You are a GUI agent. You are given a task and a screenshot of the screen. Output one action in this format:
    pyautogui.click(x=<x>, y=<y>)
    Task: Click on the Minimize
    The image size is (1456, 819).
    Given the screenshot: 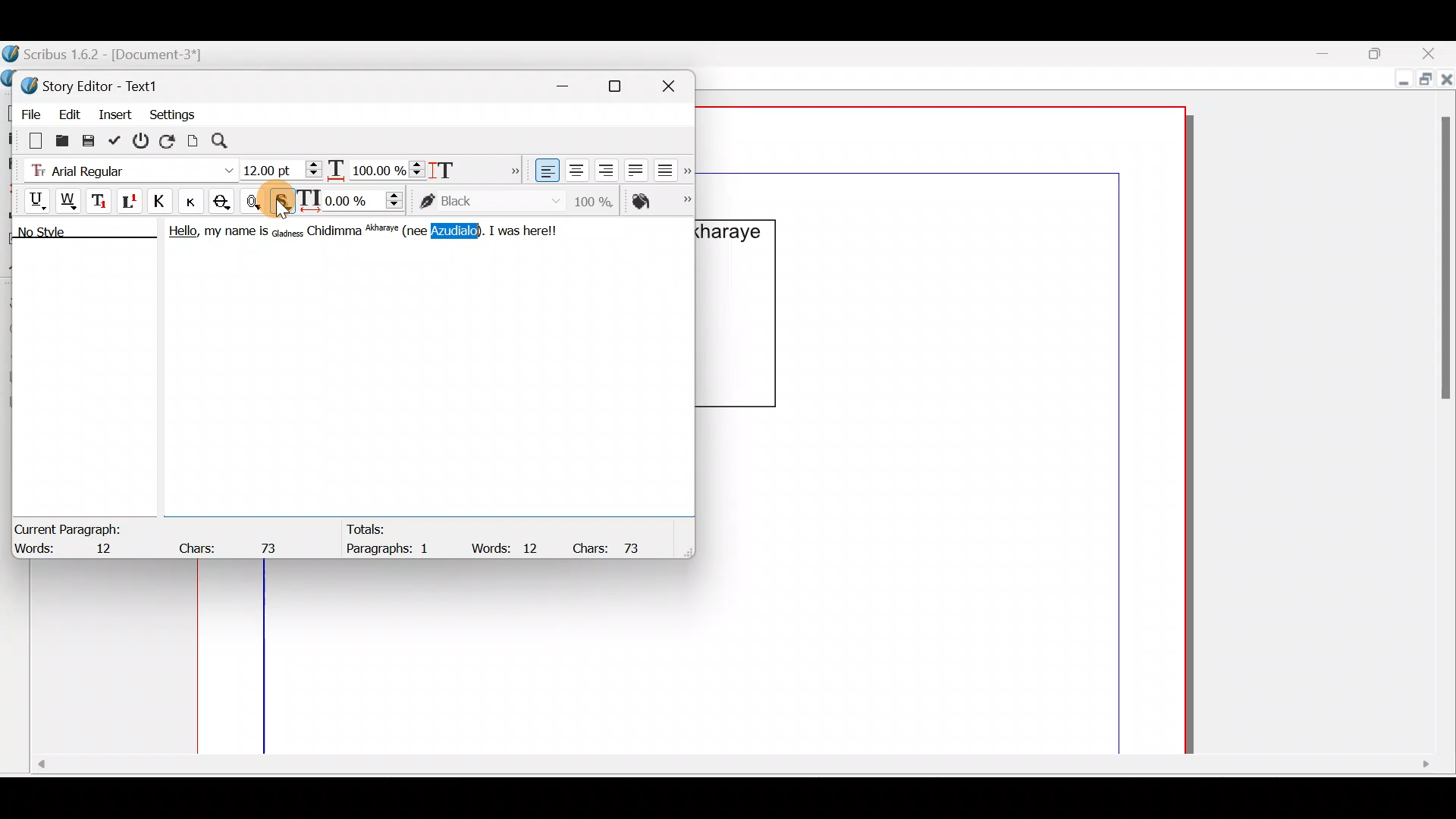 What is the action you would take?
    pyautogui.click(x=571, y=83)
    